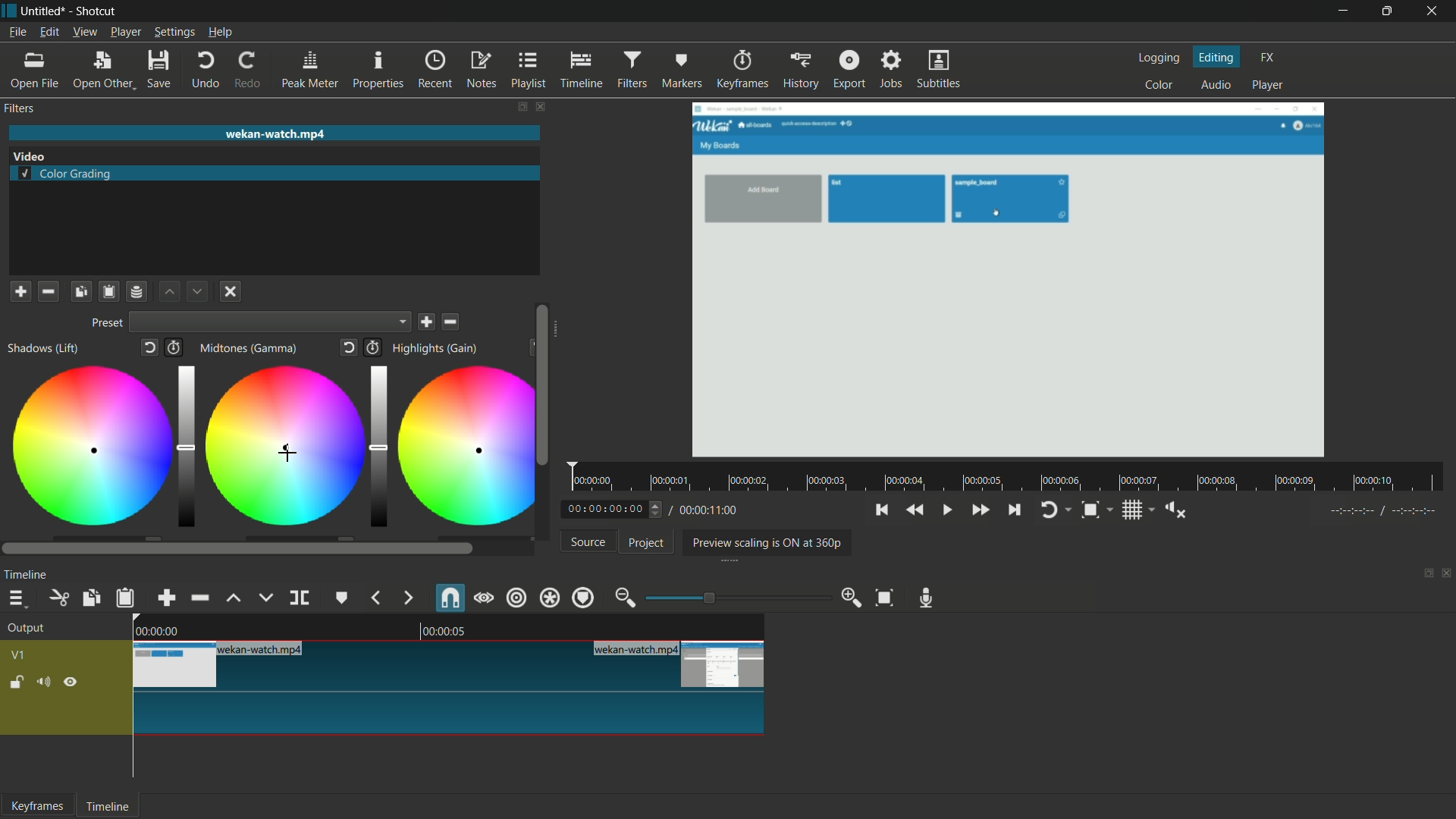  Describe the element at coordinates (72, 684) in the screenshot. I see `hide` at that location.